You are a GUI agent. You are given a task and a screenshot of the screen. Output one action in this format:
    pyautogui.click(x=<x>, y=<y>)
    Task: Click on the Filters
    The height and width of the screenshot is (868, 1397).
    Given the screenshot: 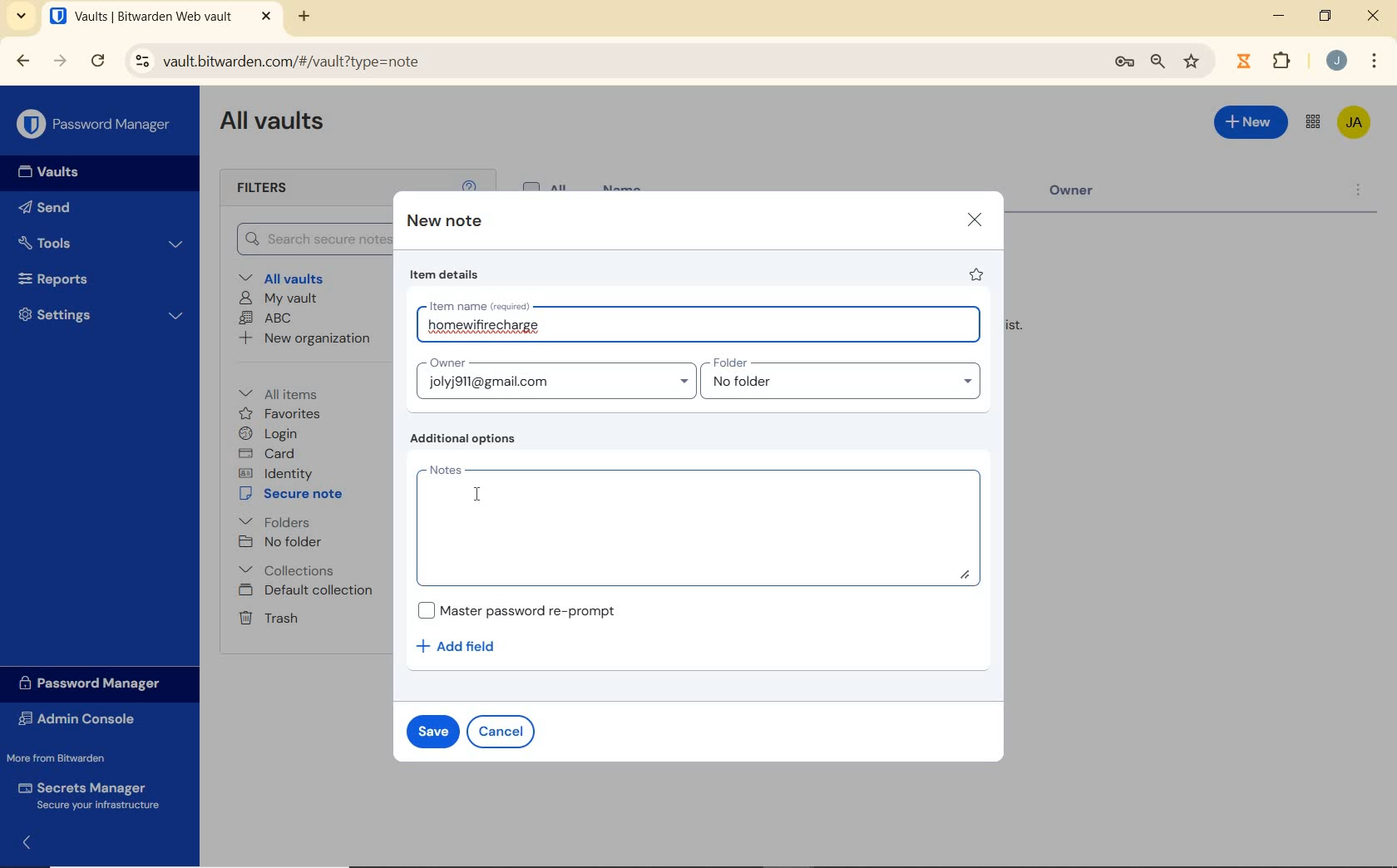 What is the action you would take?
    pyautogui.click(x=281, y=189)
    